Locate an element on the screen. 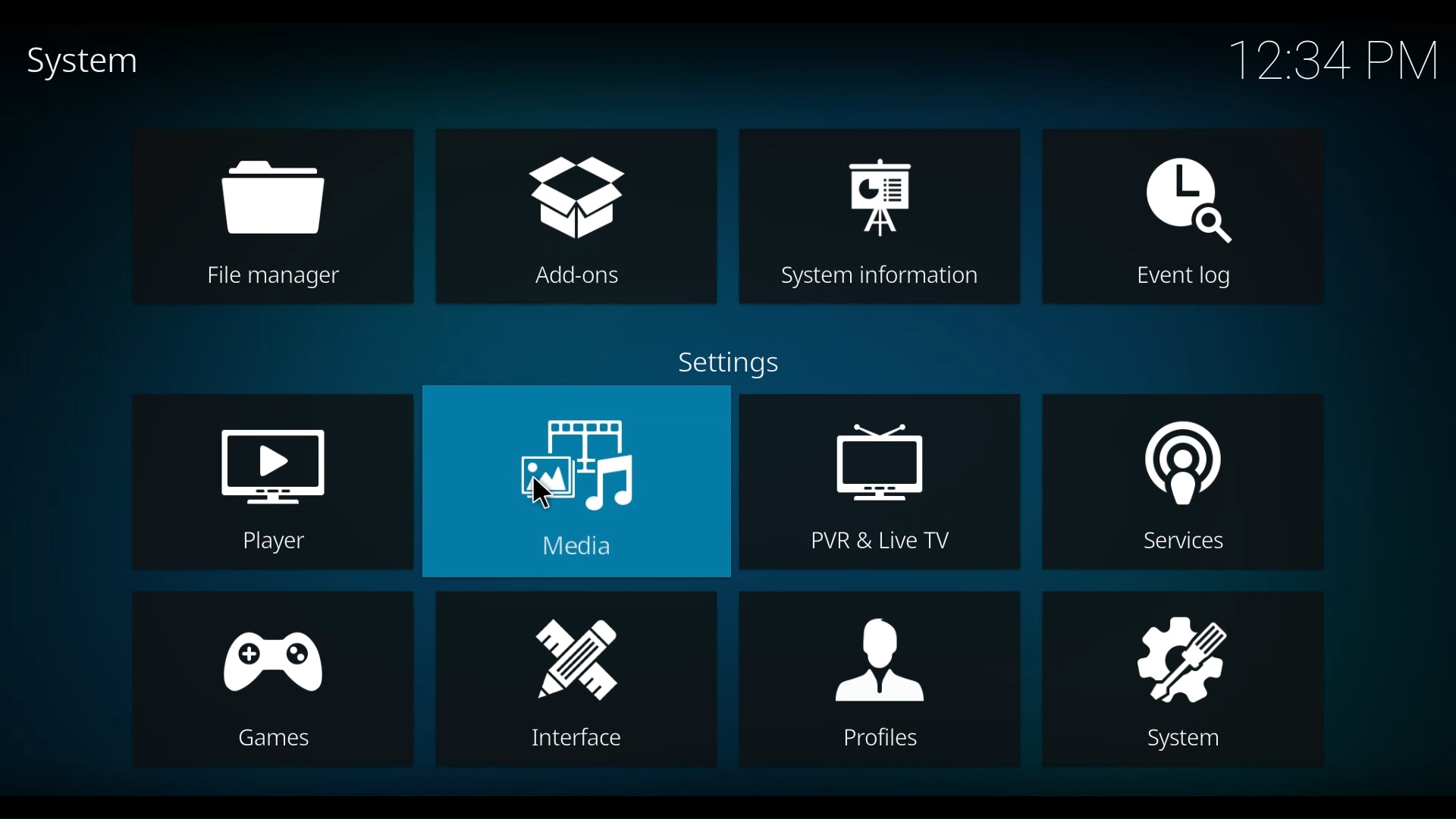 The width and height of the screenshot is (1456, 819). Services is located at coordinates (1185, 483).